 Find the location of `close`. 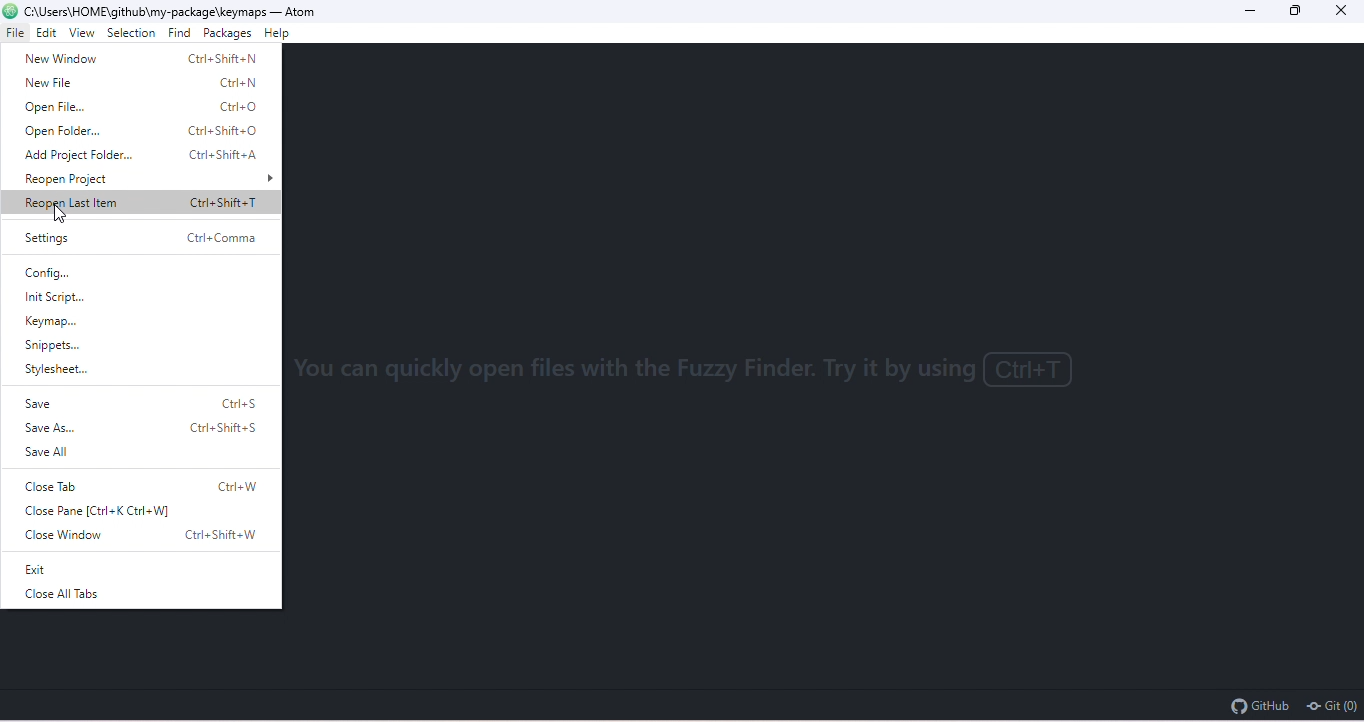

close is located at coordinates (1346, 13).